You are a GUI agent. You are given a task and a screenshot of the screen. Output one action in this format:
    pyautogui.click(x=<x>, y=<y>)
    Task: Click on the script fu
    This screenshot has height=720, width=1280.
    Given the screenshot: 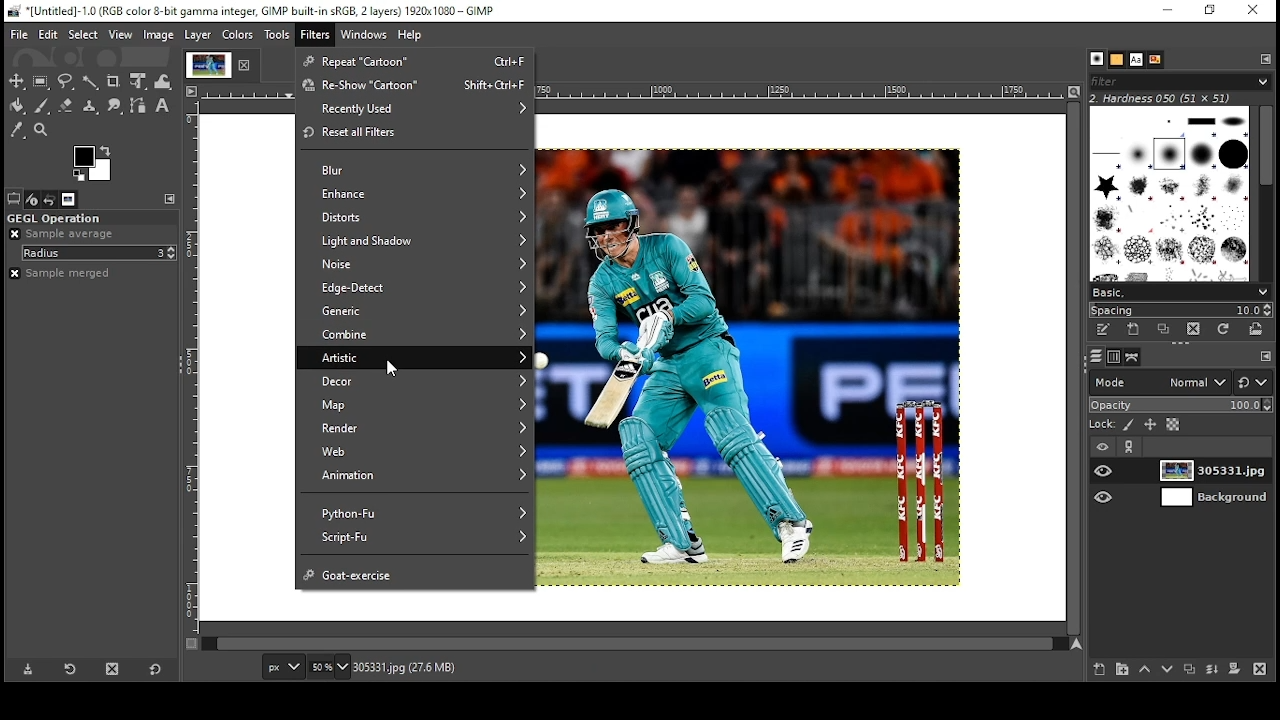 What is the action you would take?
    pyautogui.click(x=420, y=537)
    